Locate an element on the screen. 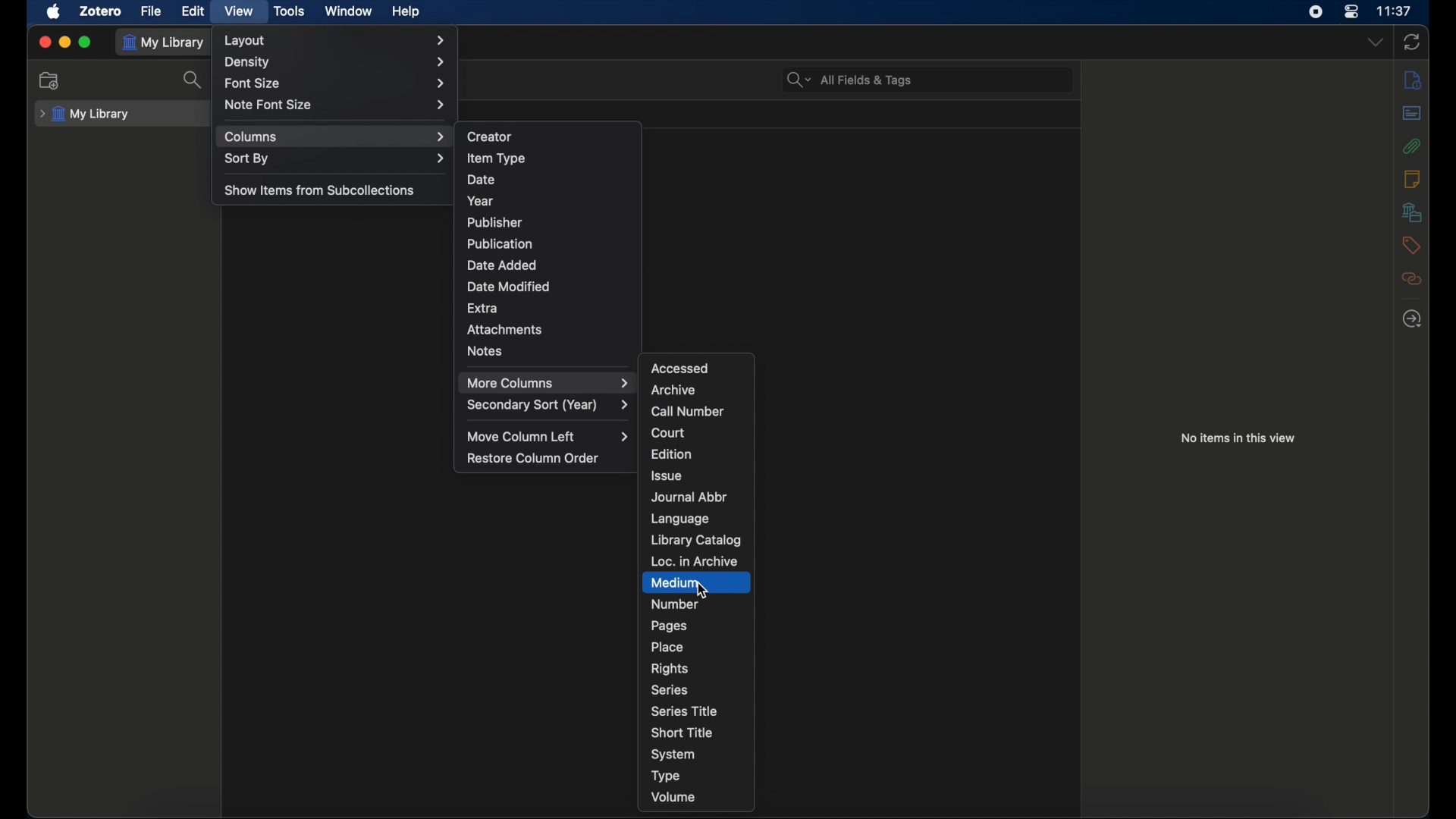  note font size is located at coordinates (337, 105).